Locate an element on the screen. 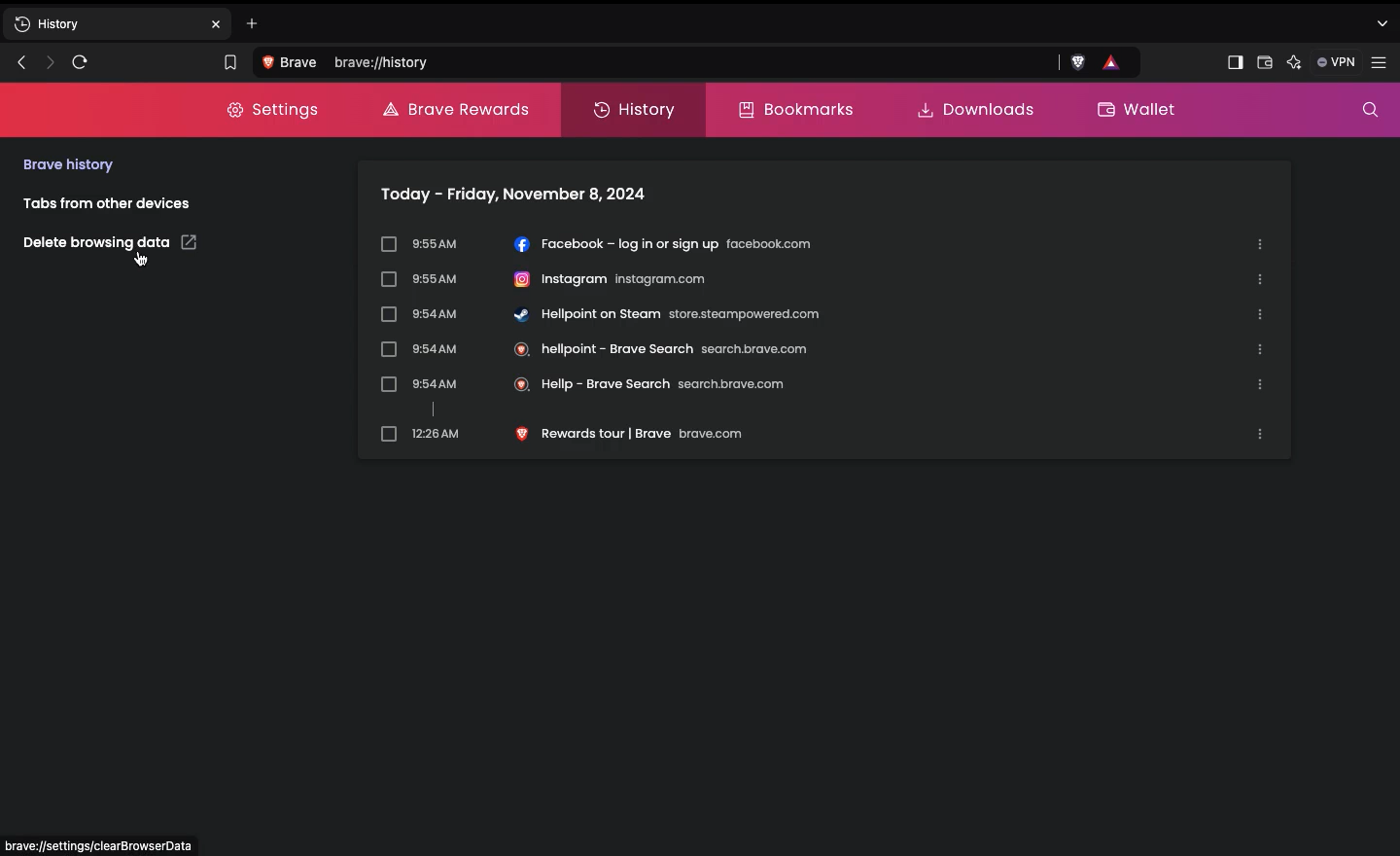 This screenshot has height=856, width=1400. Previous page is located at coordinates (18, 61).